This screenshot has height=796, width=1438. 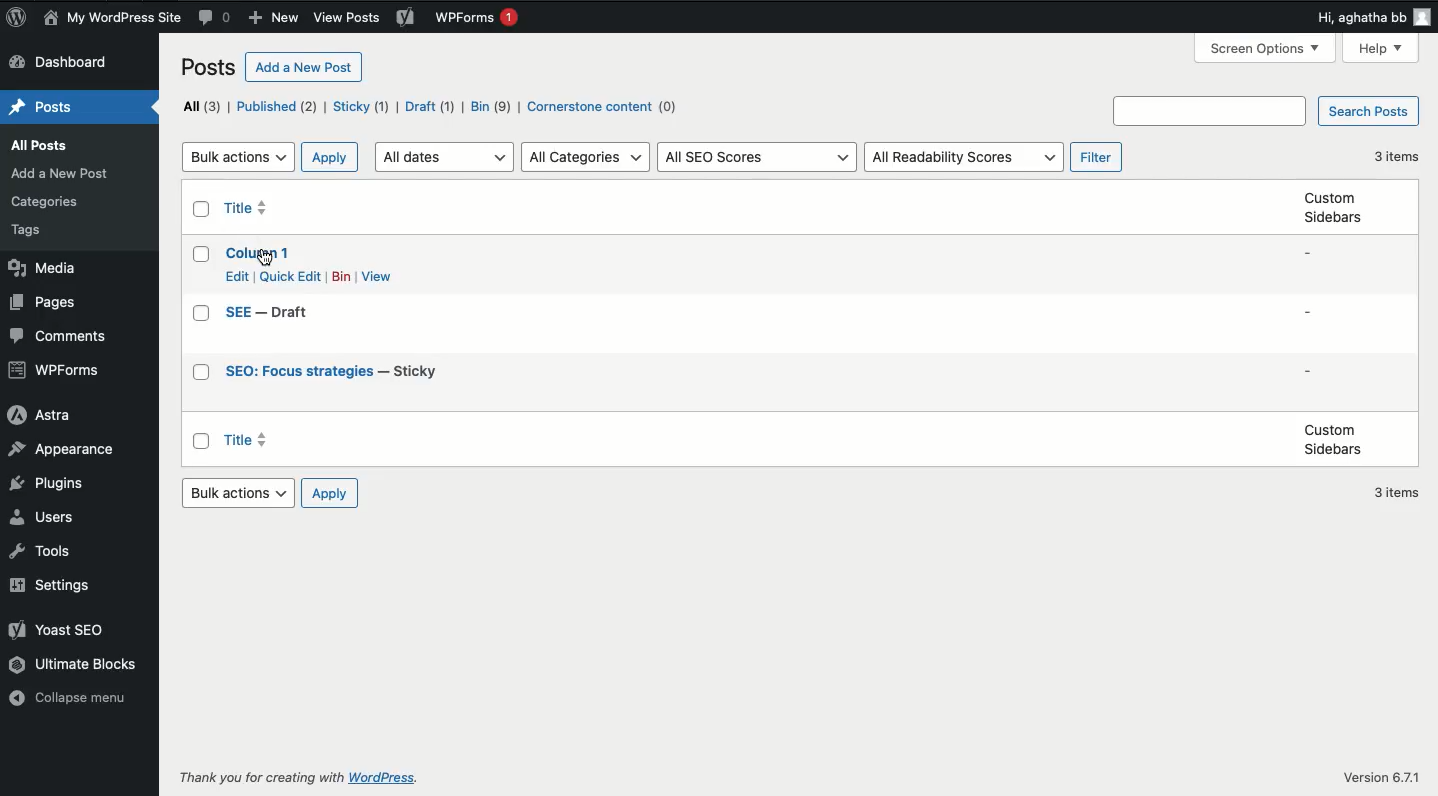 What do you see at coordinates (202, 255) in the screenshot?
I see `Checkbox` at bounding box center [202, 255].